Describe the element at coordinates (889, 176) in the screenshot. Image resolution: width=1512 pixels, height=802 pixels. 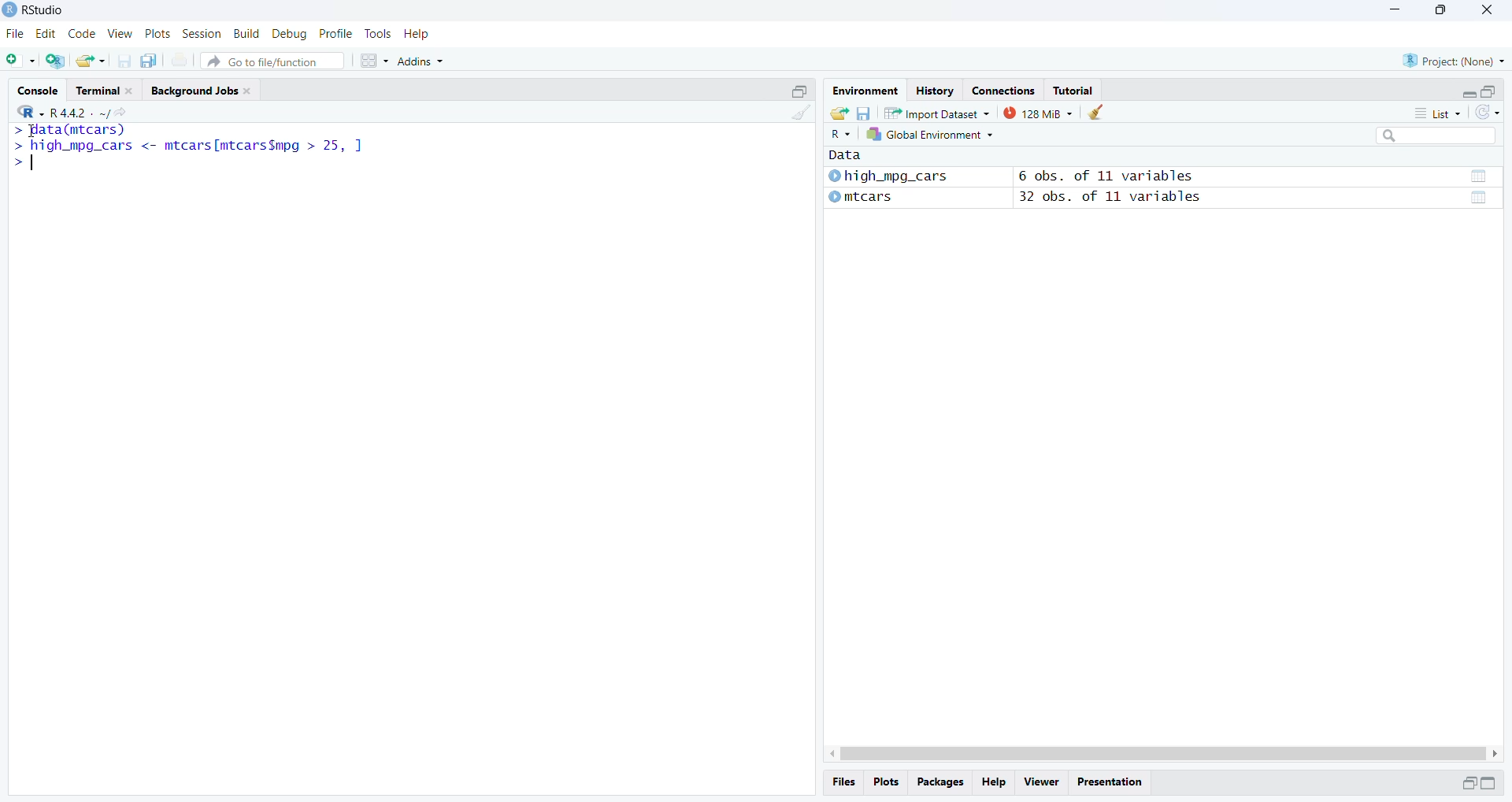
I see `© high_mpg_cars` at that location.